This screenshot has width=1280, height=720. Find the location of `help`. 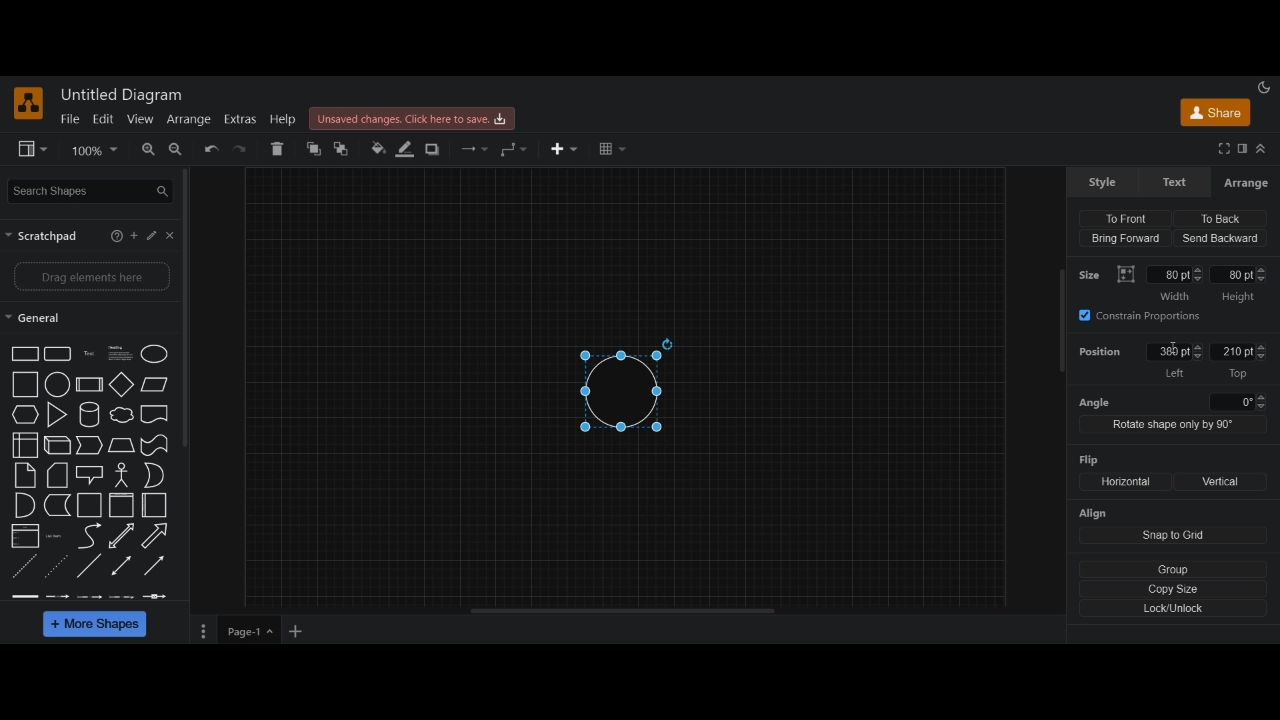

help is located at coordinates (114, 236).